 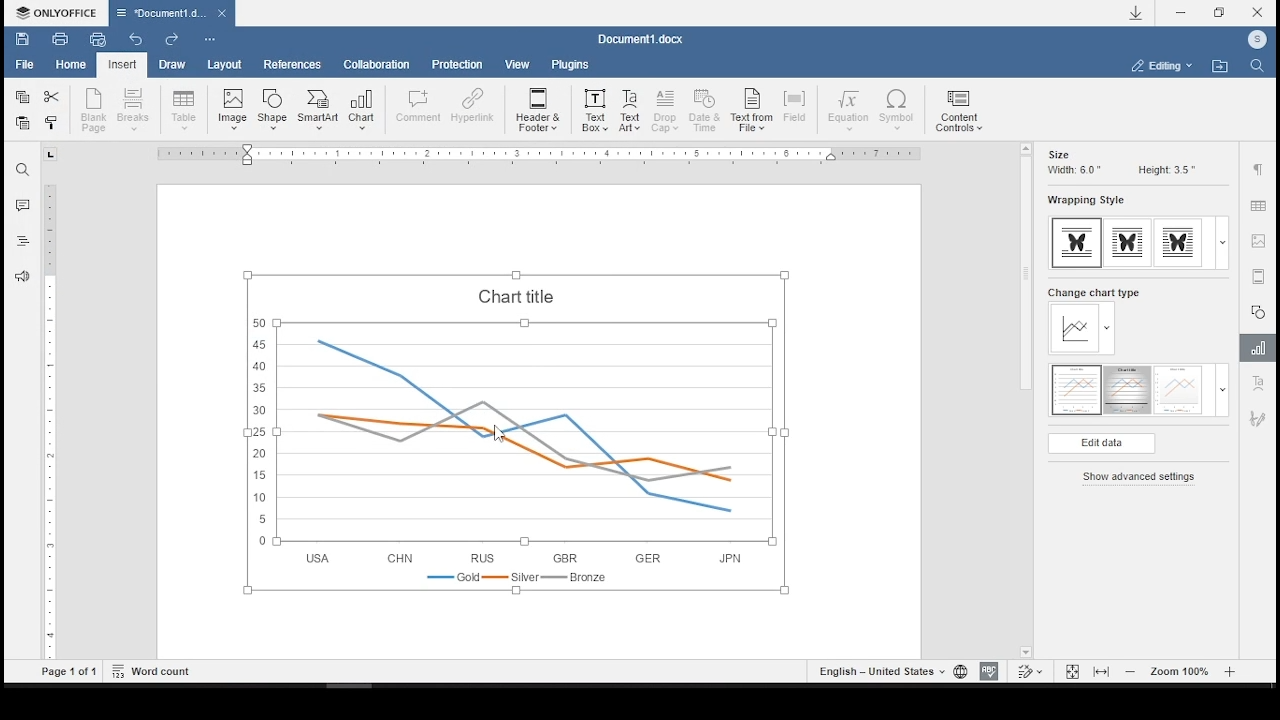 What do you see at coordinates (184, 111) in the screenshot?
I see `insert table` at bounding box center [184, 111].